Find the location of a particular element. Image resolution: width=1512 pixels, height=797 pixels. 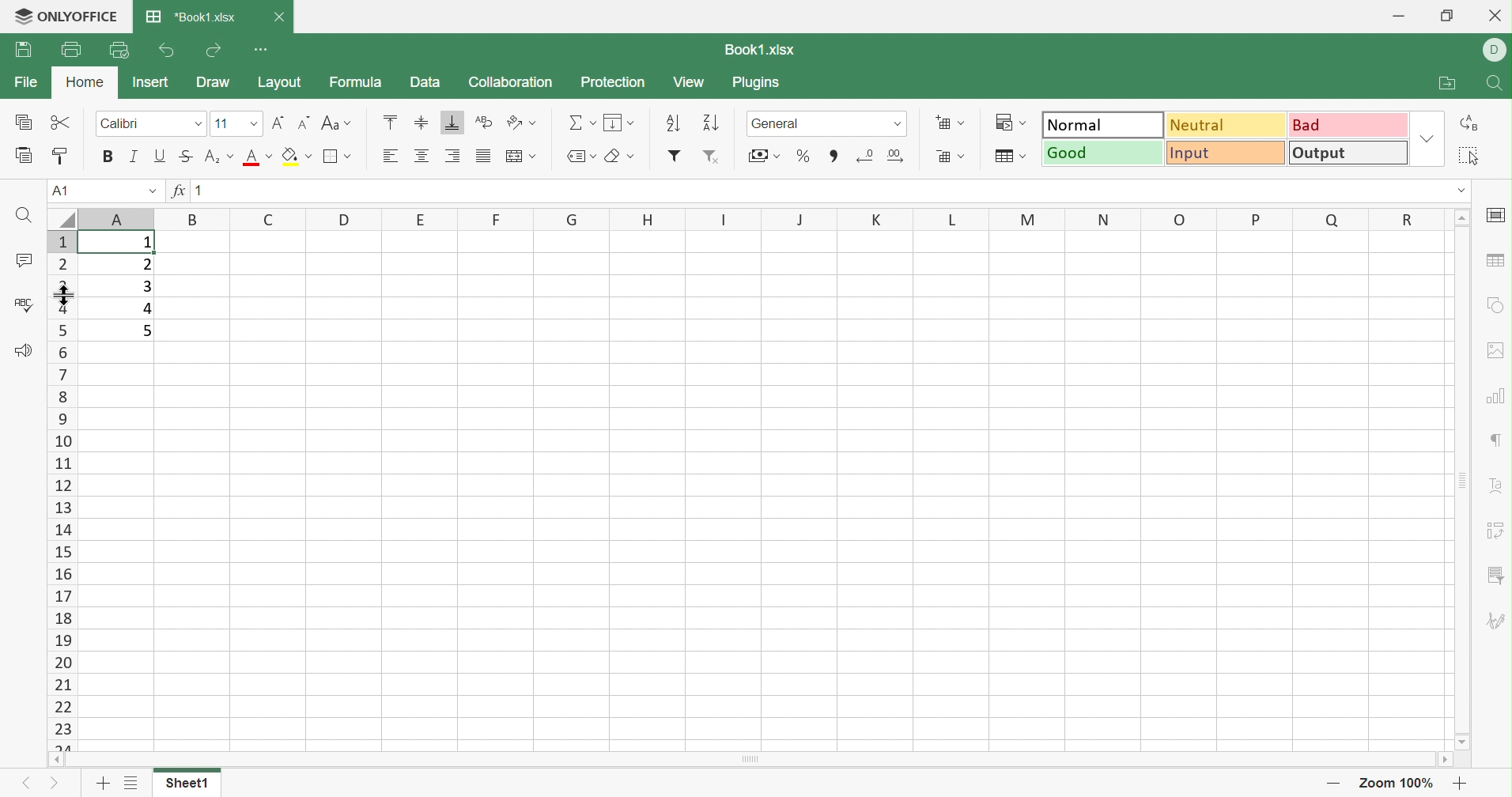

Scroll Bar is located at coordinates (754, 759).